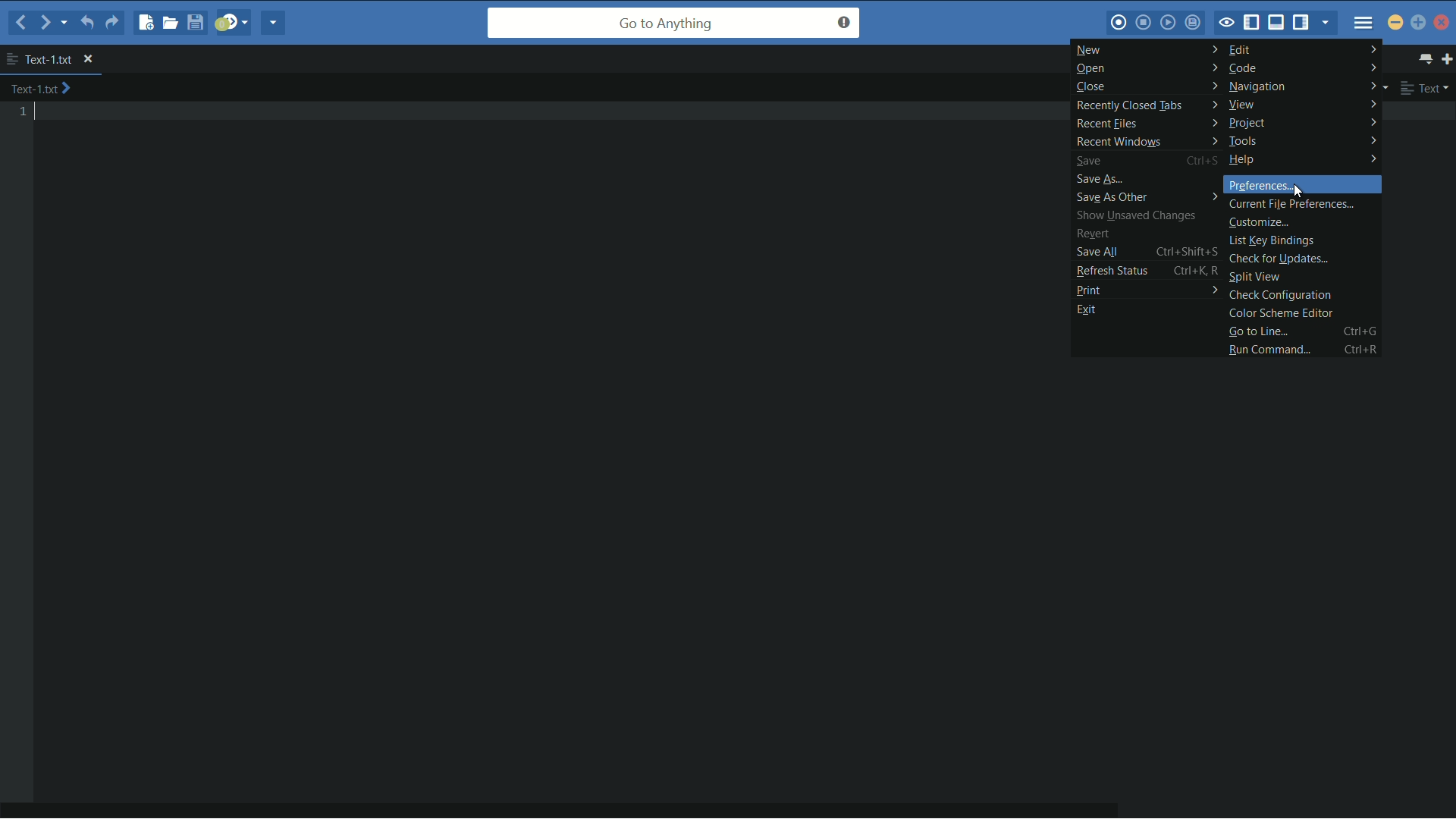 The height and width of the screenshot is (819, 1456). What do you see at coordinates (1145, 143) in the screenshot?
I see `recent windows` at bounding box center [1145, 143].